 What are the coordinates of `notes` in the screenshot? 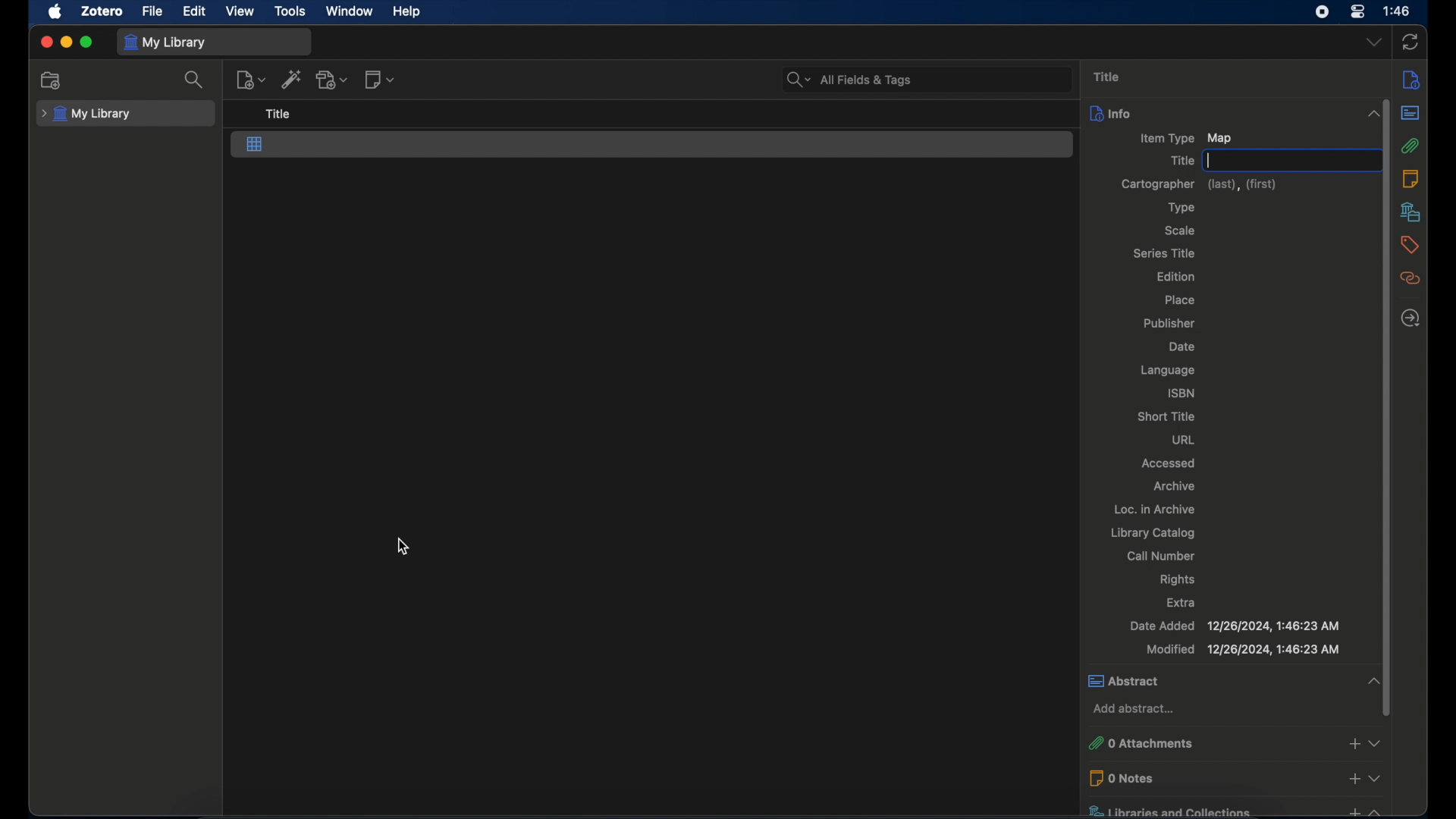 It's located at (1410, 178).